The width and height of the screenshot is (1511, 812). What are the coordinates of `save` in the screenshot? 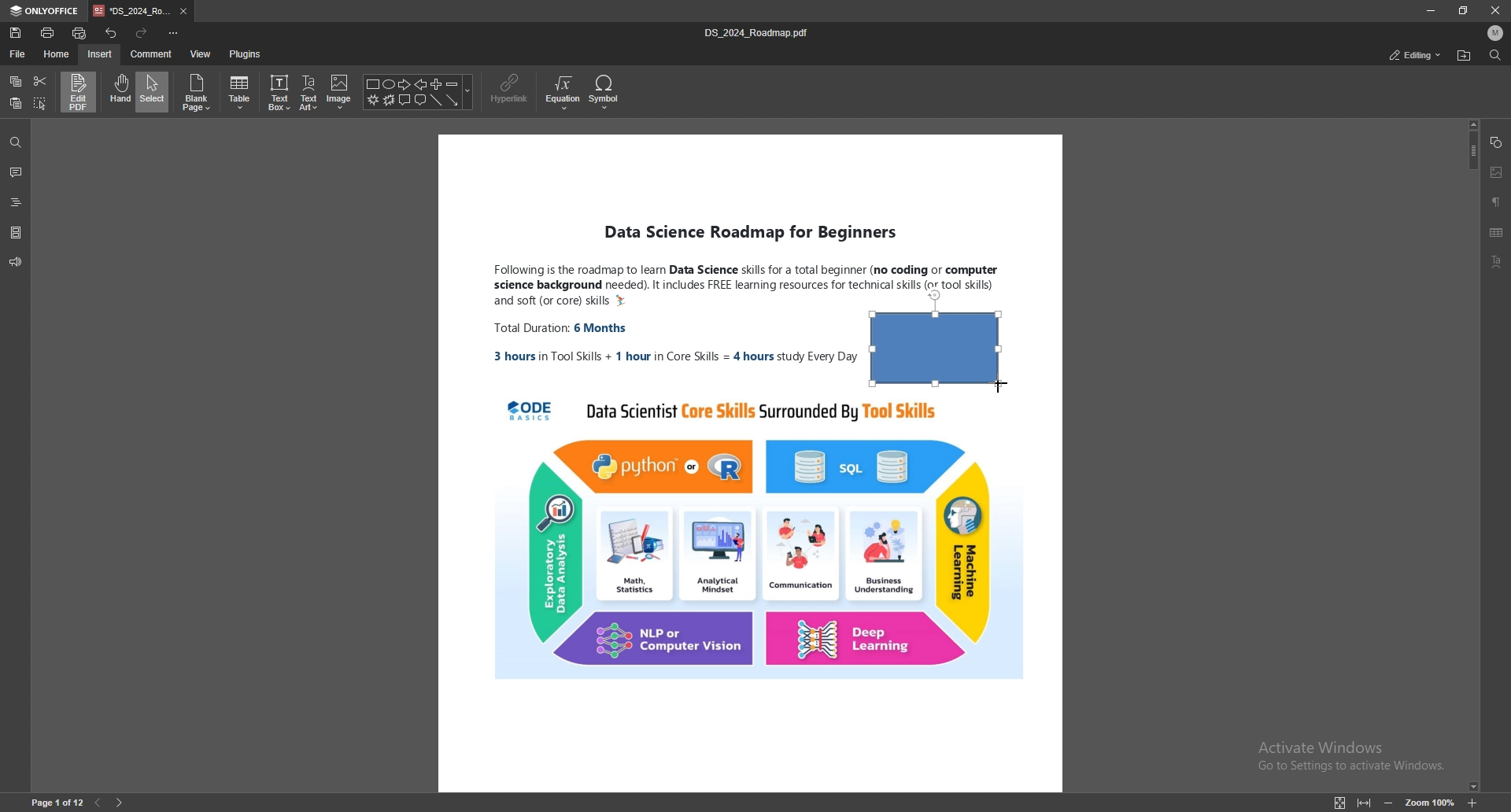 It's located at (17, 33).